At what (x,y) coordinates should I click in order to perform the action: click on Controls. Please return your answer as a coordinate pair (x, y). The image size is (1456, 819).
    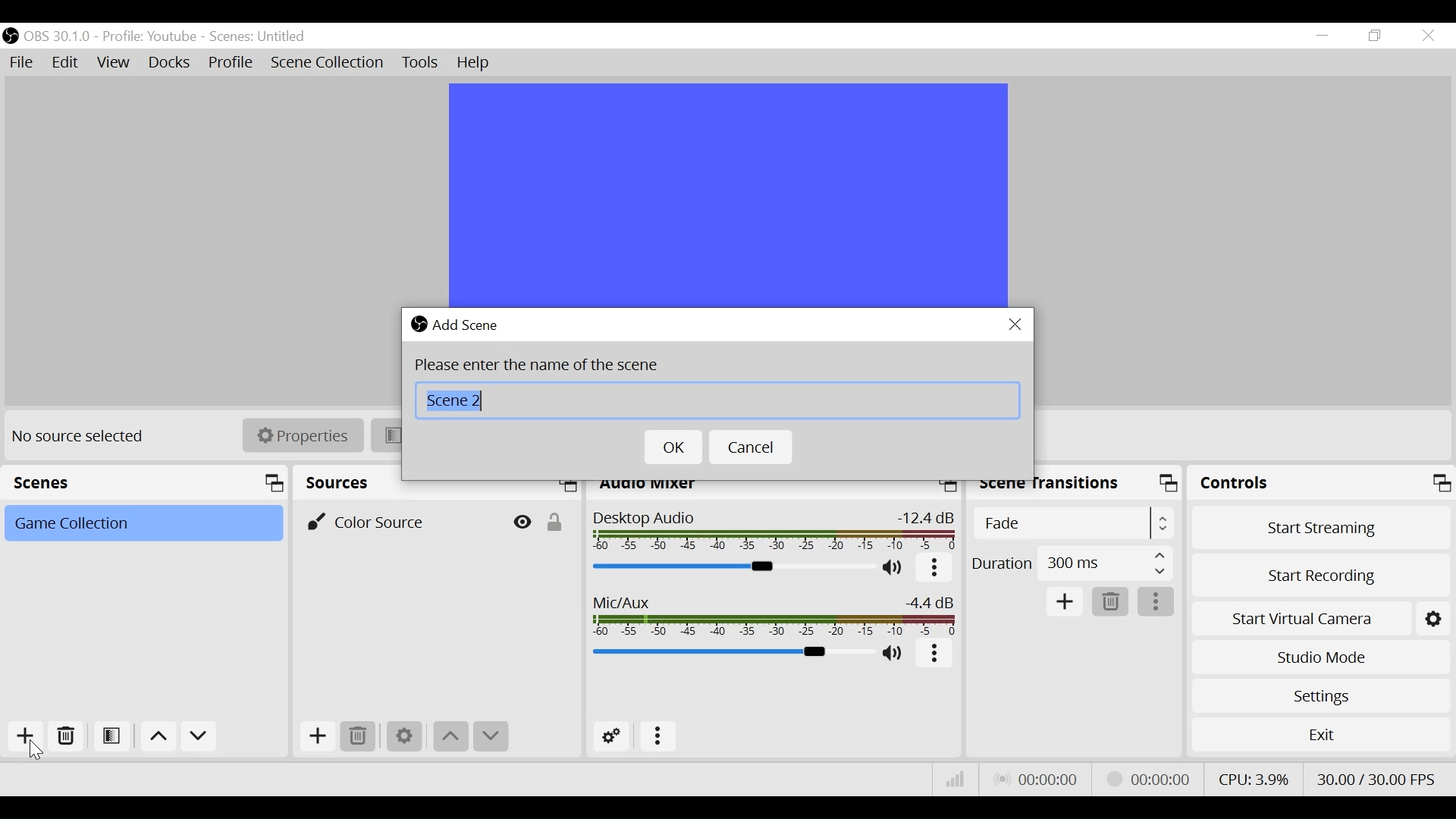
    Looking at the image, I should click on (1322, 482).